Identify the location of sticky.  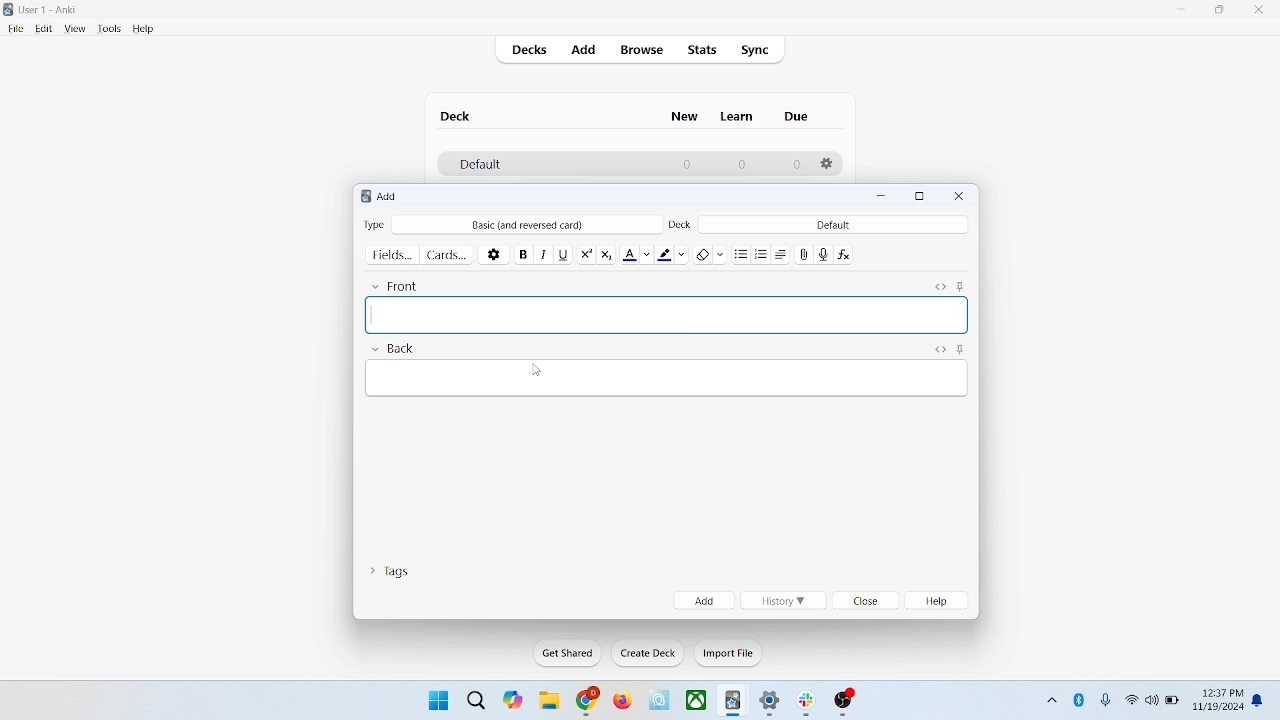
(960, 348).